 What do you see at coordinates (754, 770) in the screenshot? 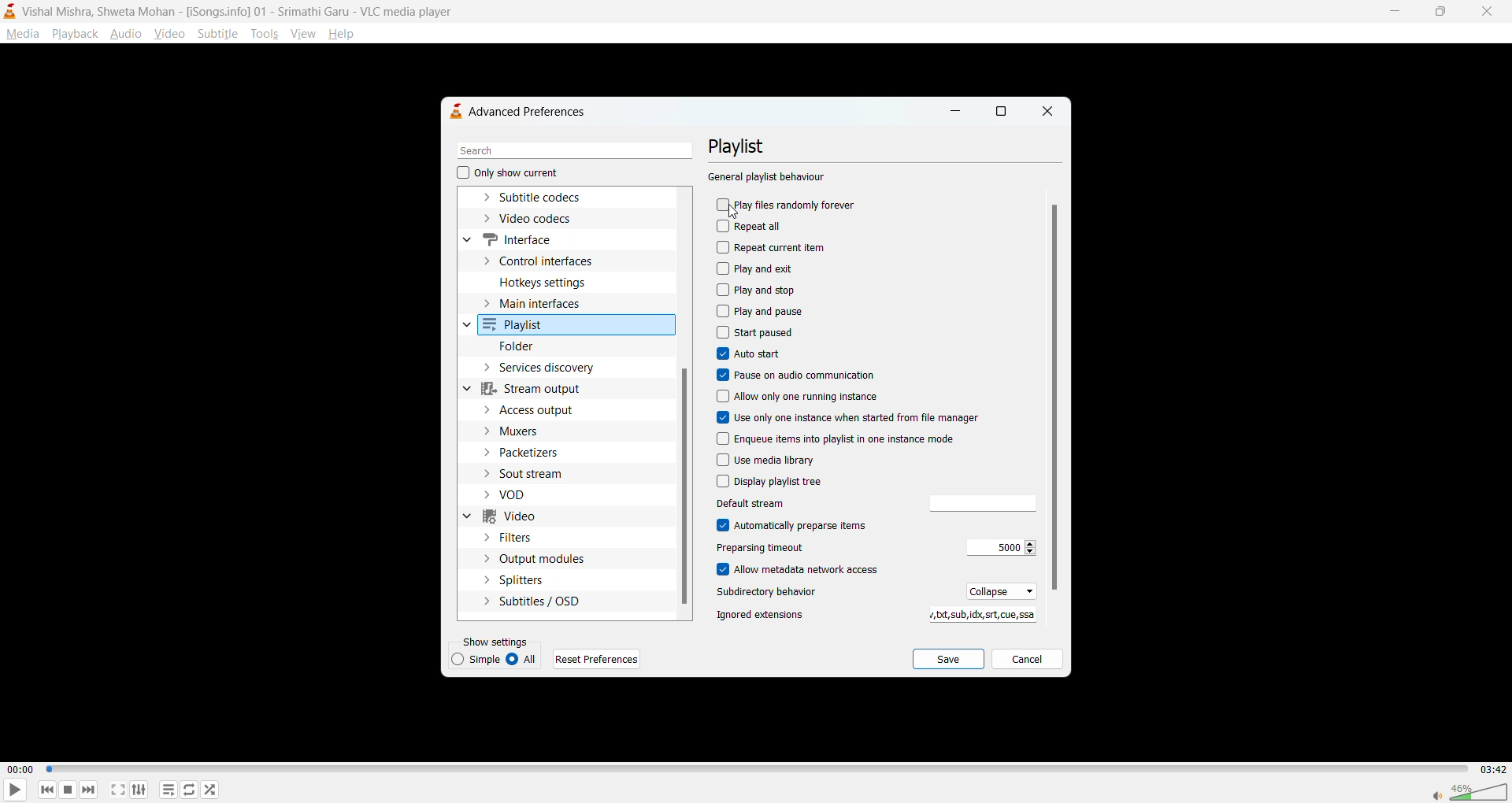
I see `track slider` at bounding box center [754, 770].